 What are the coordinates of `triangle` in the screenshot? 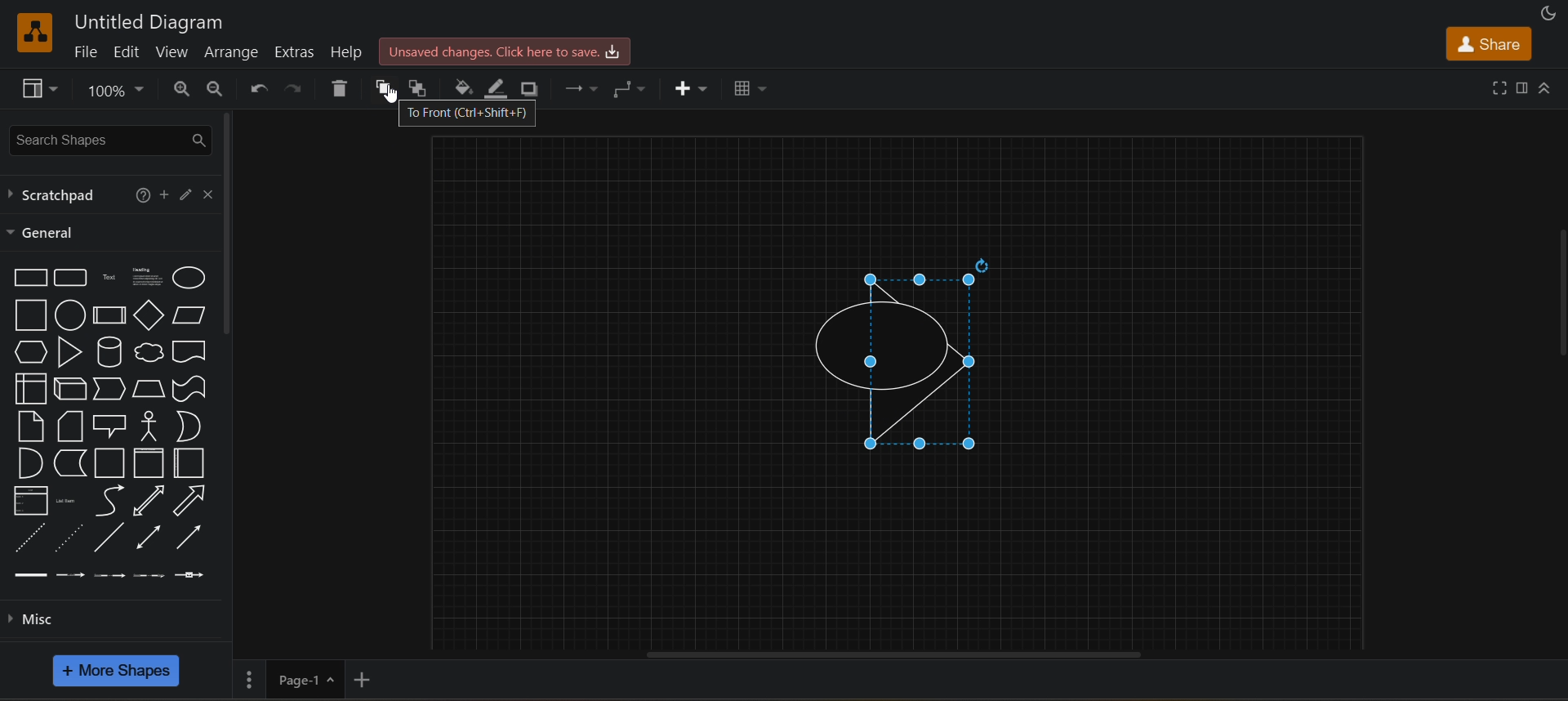 It's located at (69, 353).